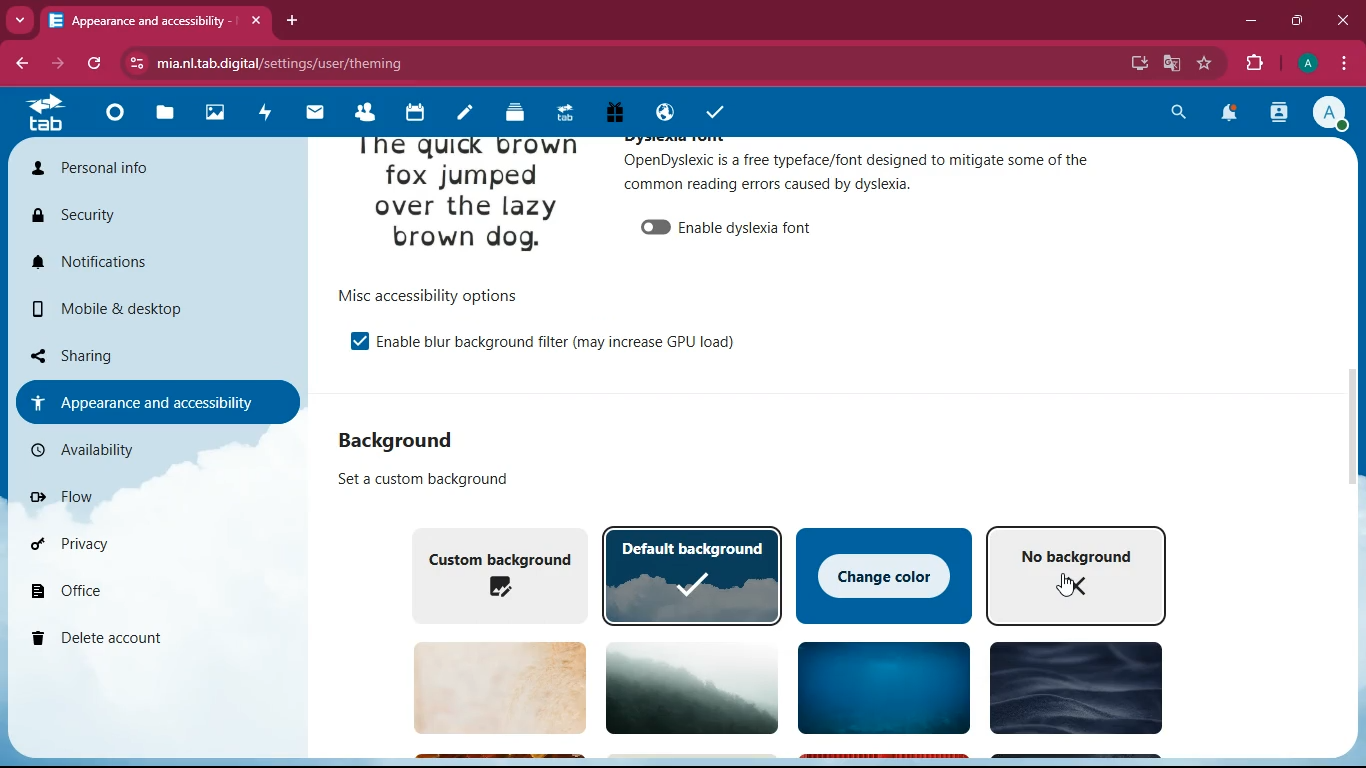 The height and width of the screenshot is (768, 1366). What do you see at coordinates (283, 64) in the screenshot?
I see `url` at bounding box center [283, 64].